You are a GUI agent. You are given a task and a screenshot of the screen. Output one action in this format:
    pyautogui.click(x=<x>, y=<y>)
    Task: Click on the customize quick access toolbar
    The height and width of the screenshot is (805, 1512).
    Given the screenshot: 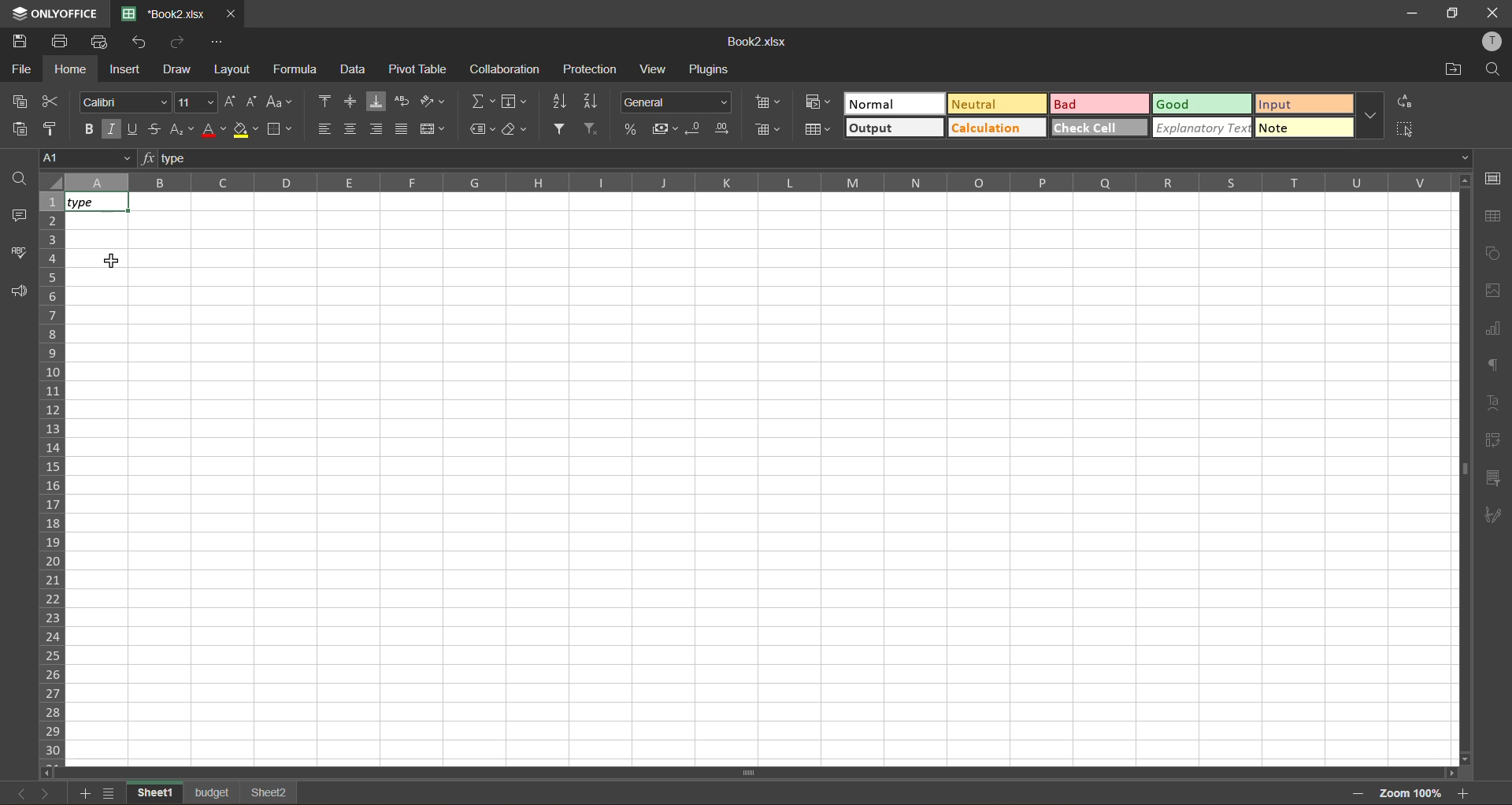 What is the action you would take?
    pyautogui.click(x=217, y=42)
    